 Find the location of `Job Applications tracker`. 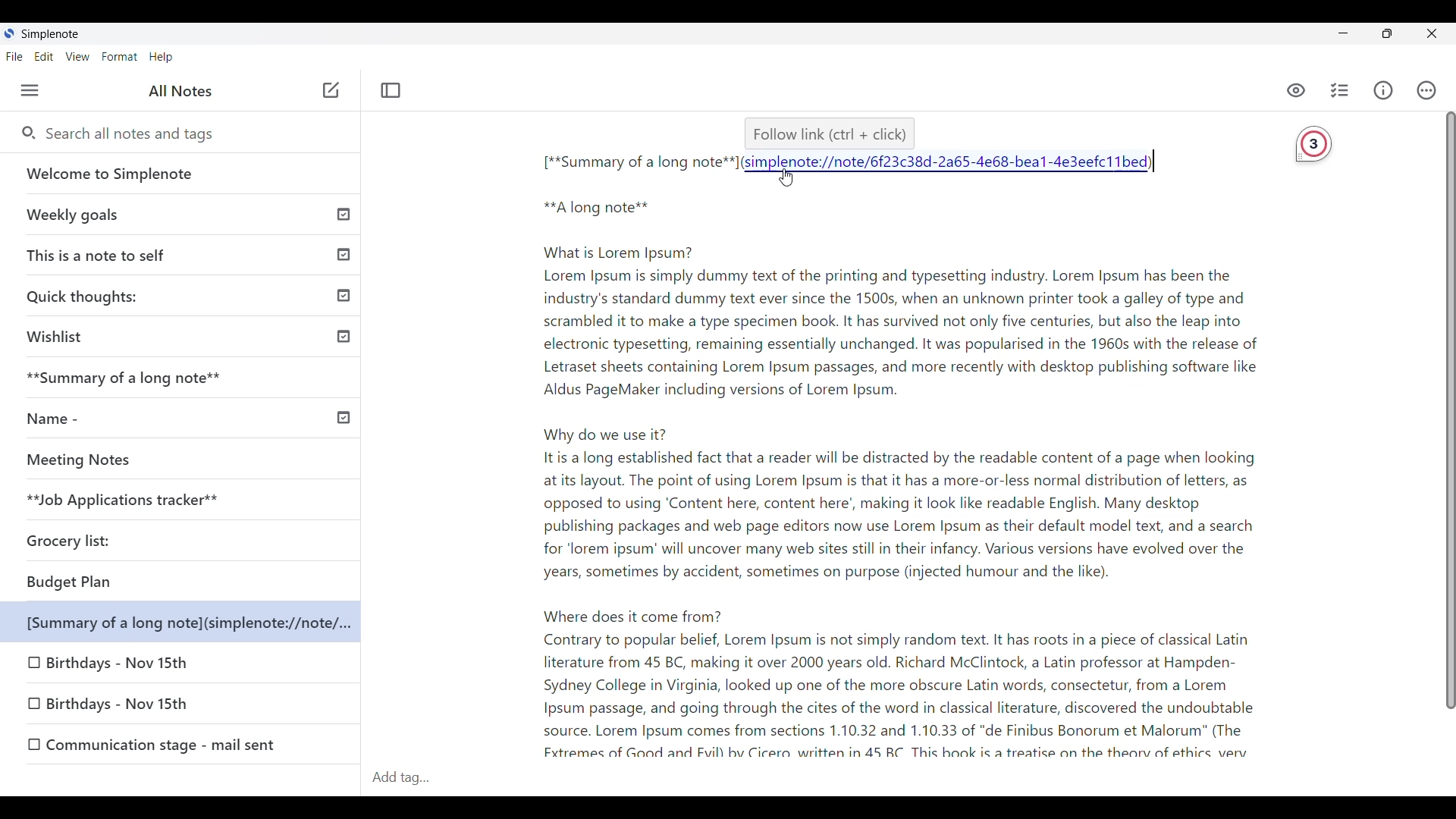

Job Applications tracker is located at coordinates (117, 500).